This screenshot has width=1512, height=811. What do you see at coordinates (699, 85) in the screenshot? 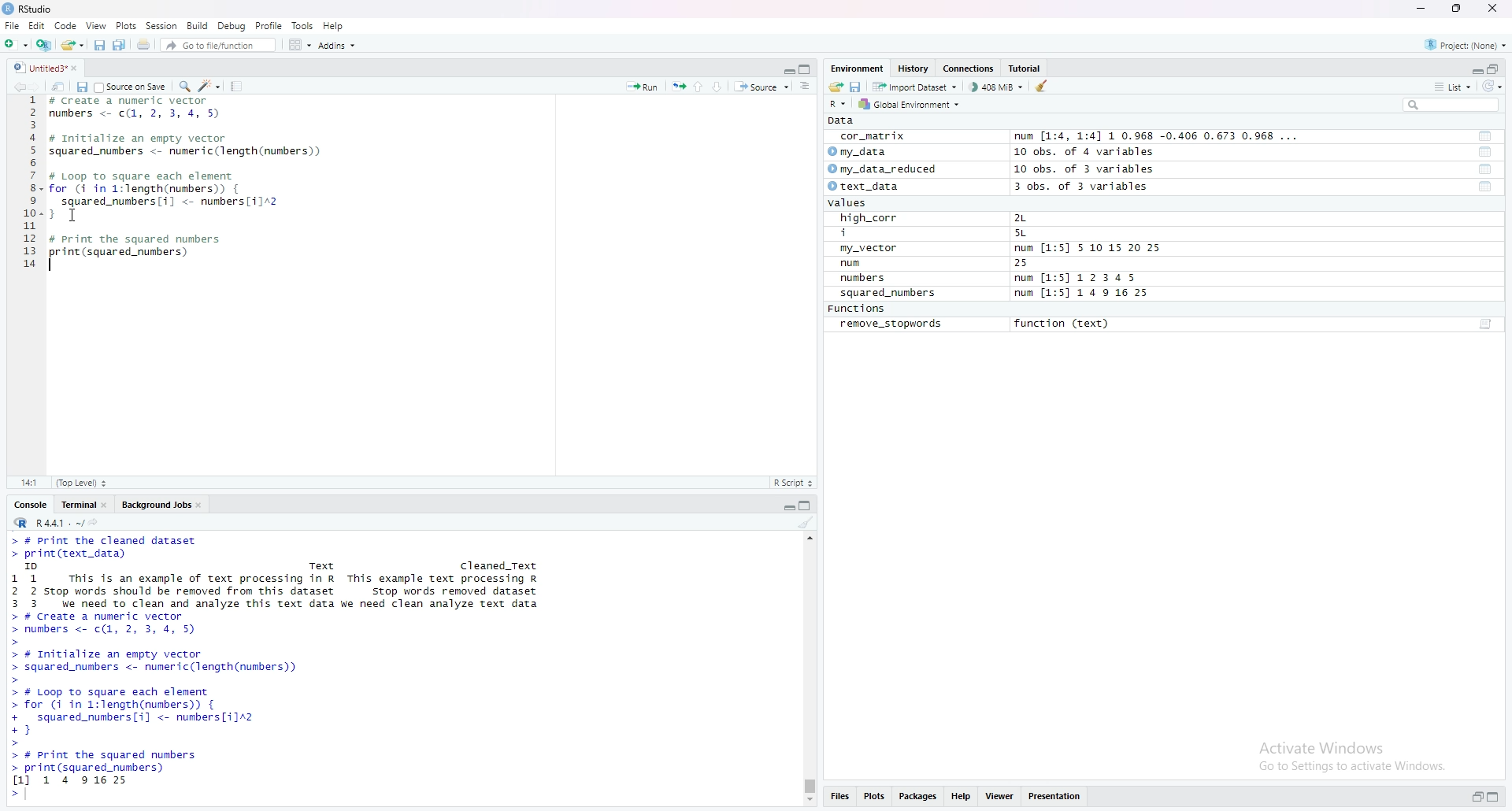
I see `up` at bounding box center [699, 85].